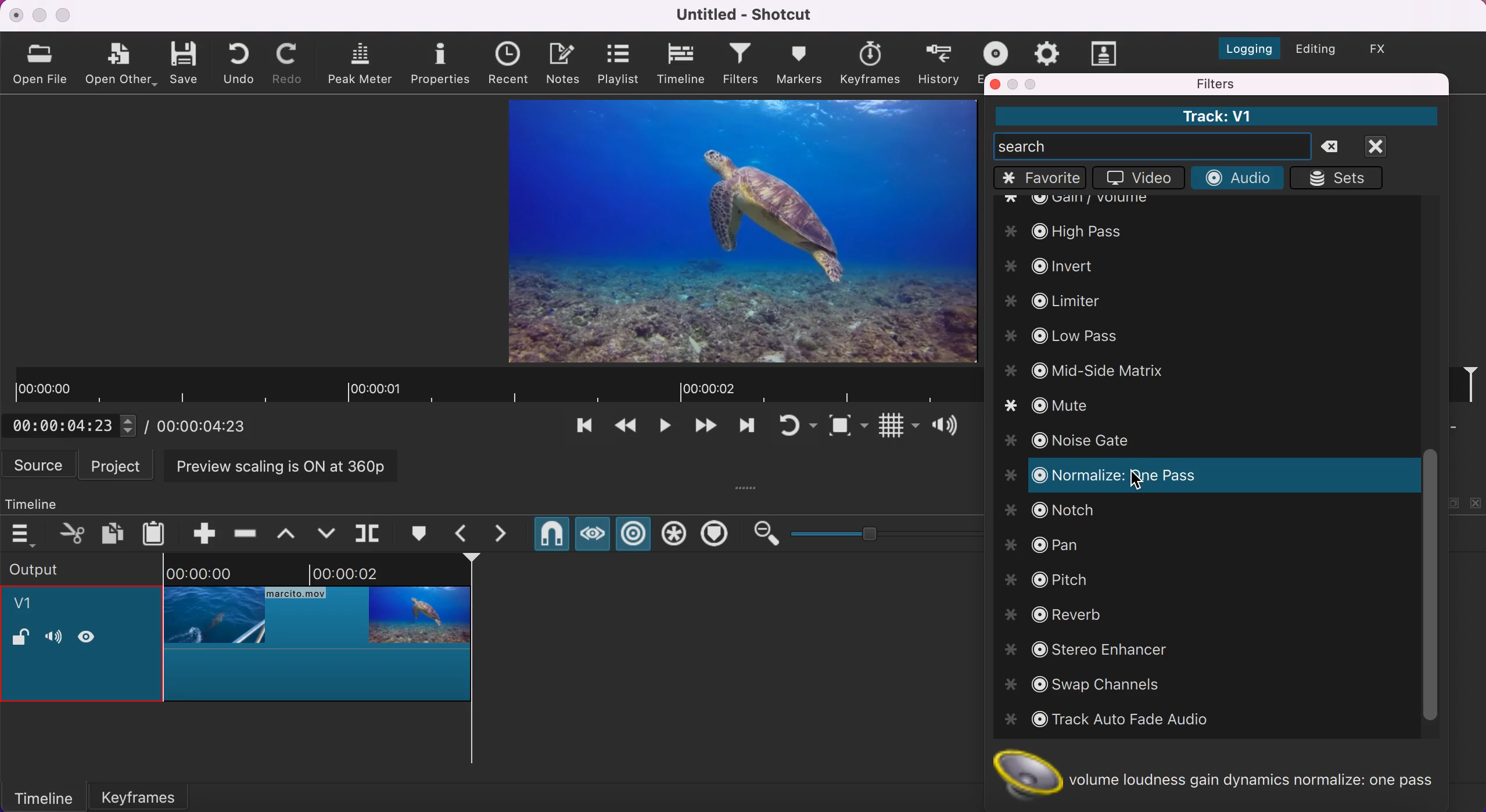 The image size is (1486, 812). Describe the element at coordinates (1225, 774) in the screenshot. I see `volume loudness gain dynamics normalize: one pass` at that location.